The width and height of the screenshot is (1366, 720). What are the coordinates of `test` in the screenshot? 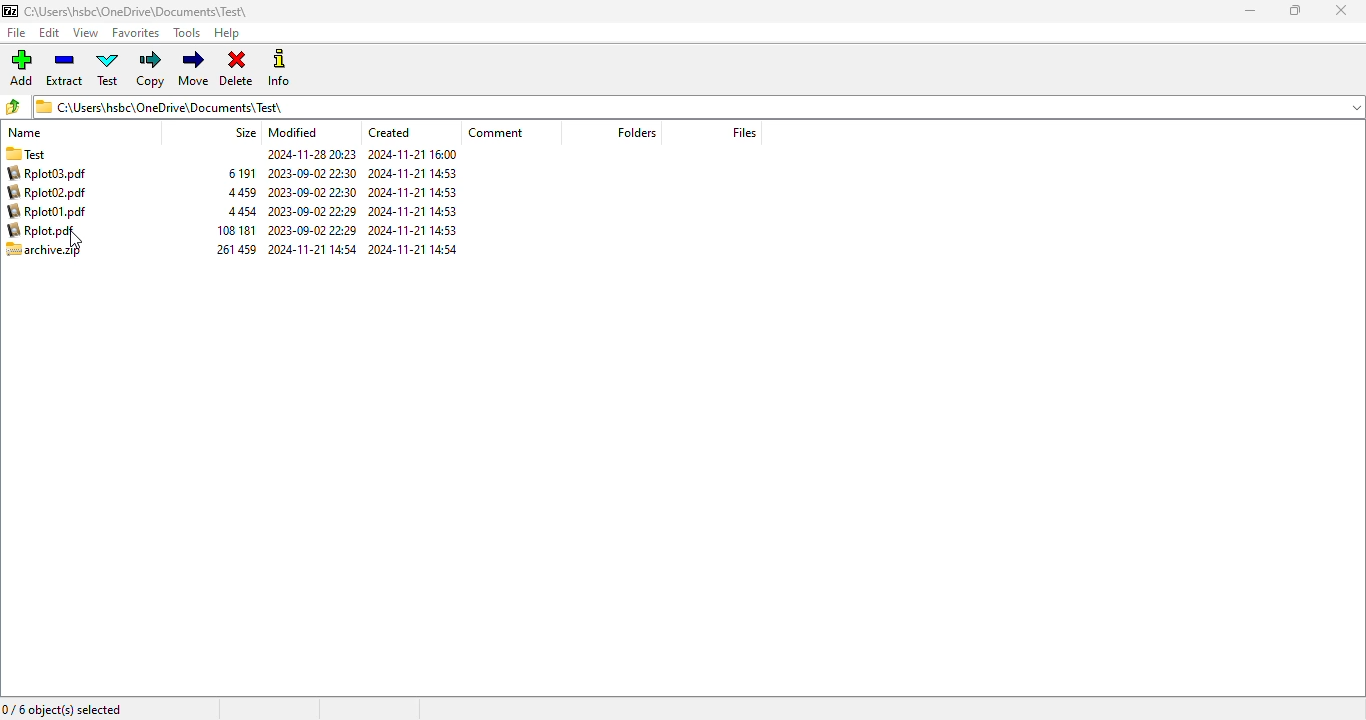 It's located at (109, 69).